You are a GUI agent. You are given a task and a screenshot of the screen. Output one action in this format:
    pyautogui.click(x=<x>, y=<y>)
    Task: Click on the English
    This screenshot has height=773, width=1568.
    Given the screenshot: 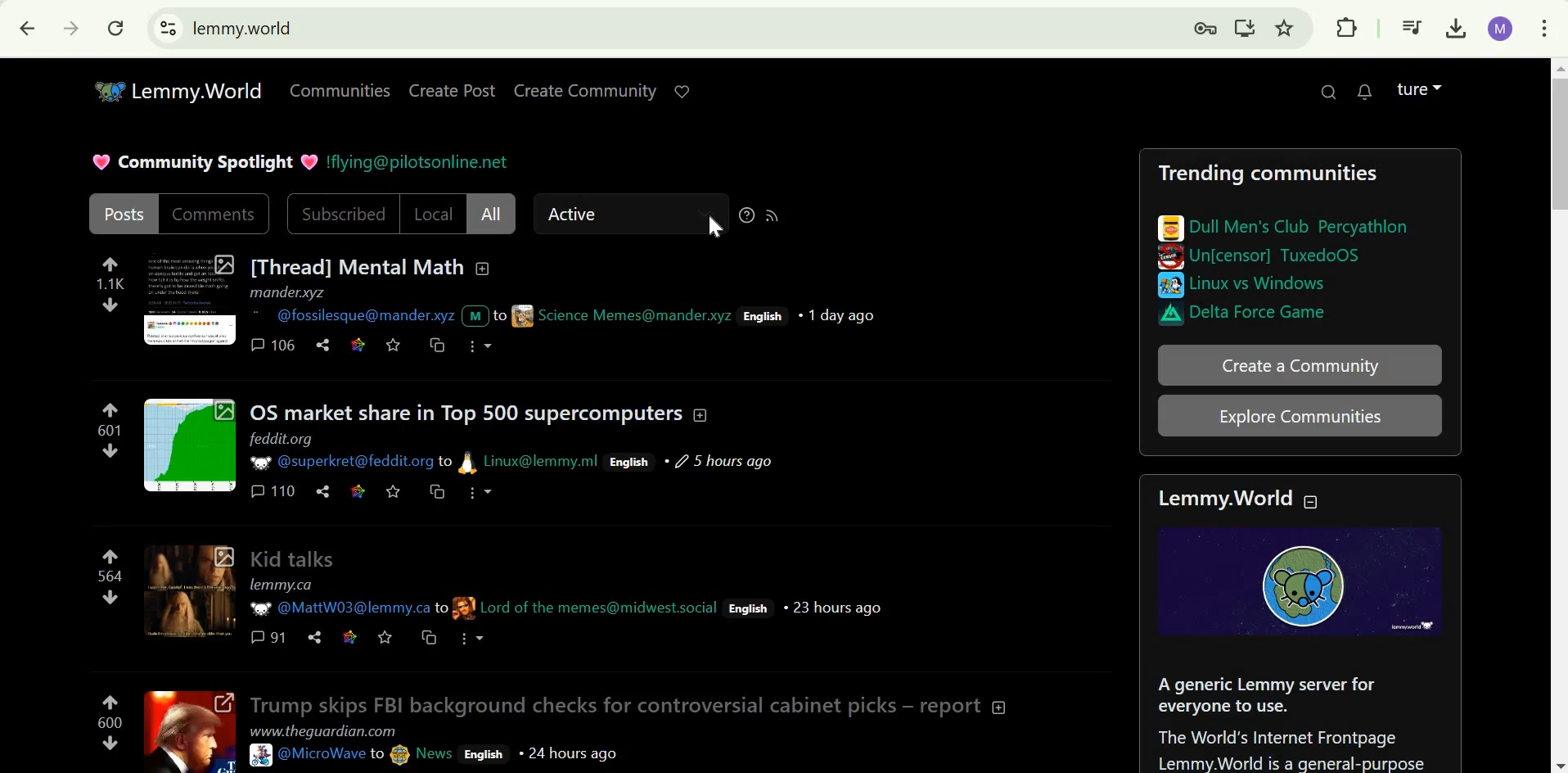 What is the action you would take?
    pyautogui.click(x=482, y=753)
    